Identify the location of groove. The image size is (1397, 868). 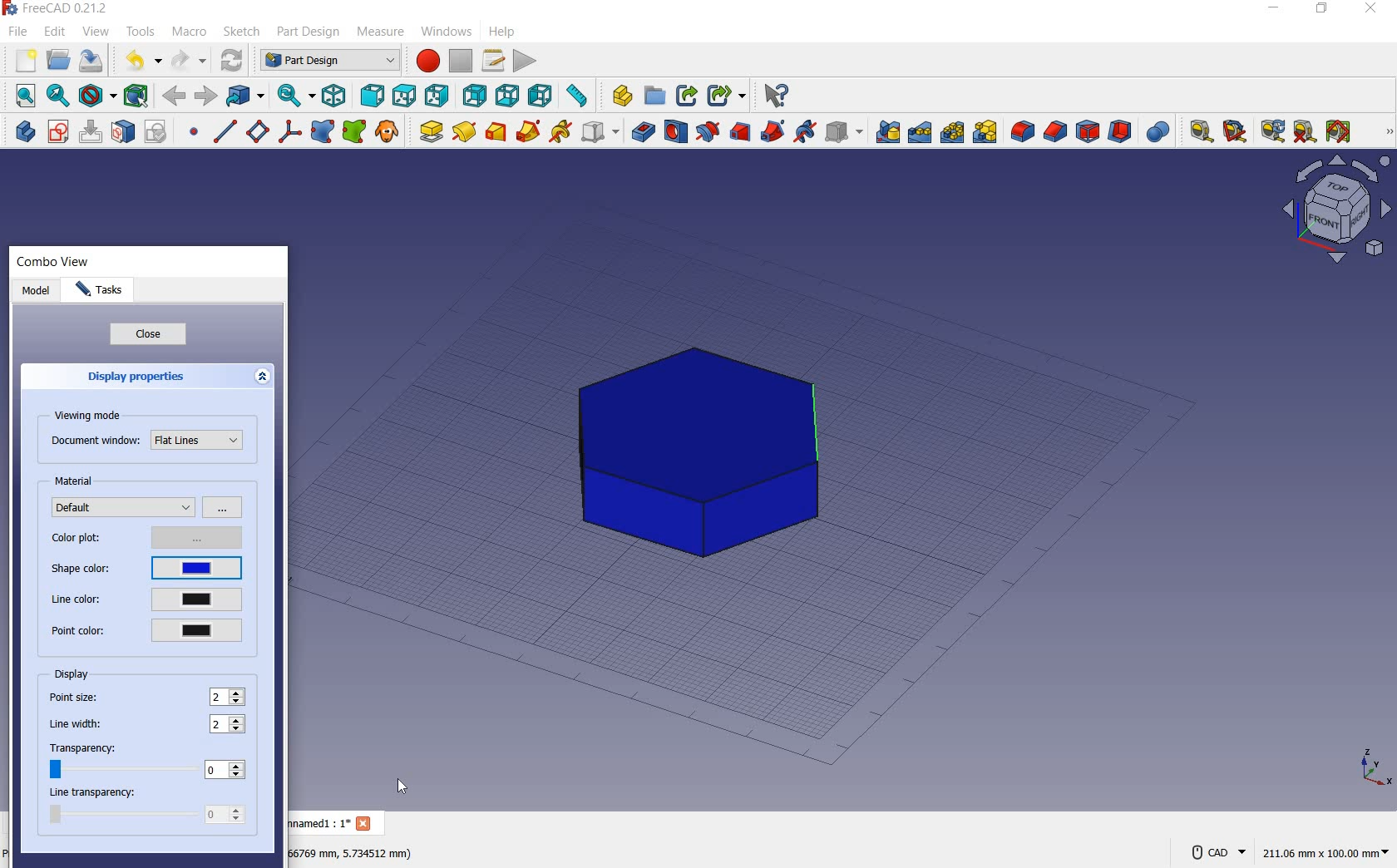
(706, 132).